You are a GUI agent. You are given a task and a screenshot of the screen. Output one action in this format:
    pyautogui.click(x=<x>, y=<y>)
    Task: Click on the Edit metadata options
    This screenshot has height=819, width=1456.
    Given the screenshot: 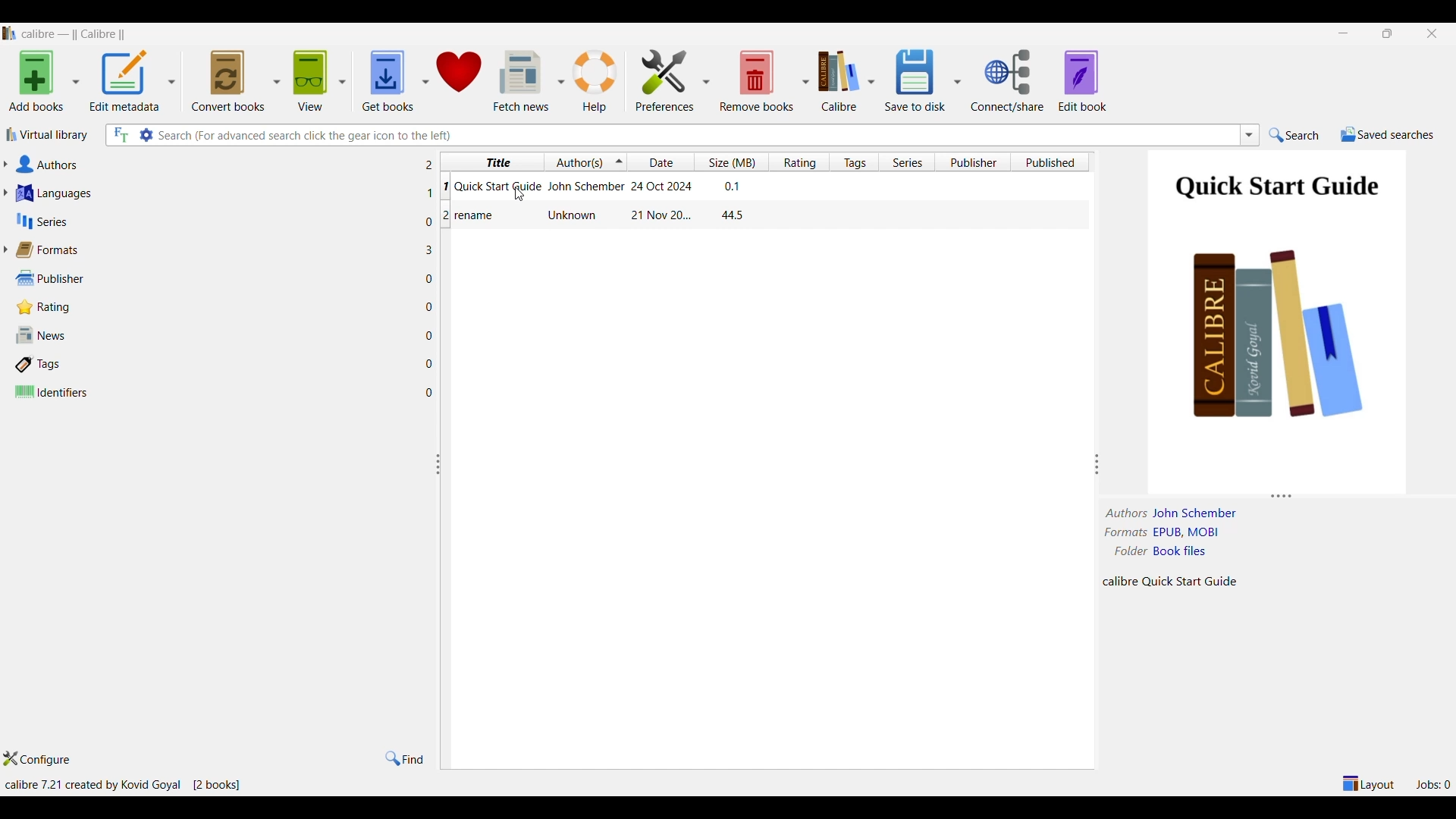 What is the action you would take?
    pyautogui.click(x=171, y=81)
    